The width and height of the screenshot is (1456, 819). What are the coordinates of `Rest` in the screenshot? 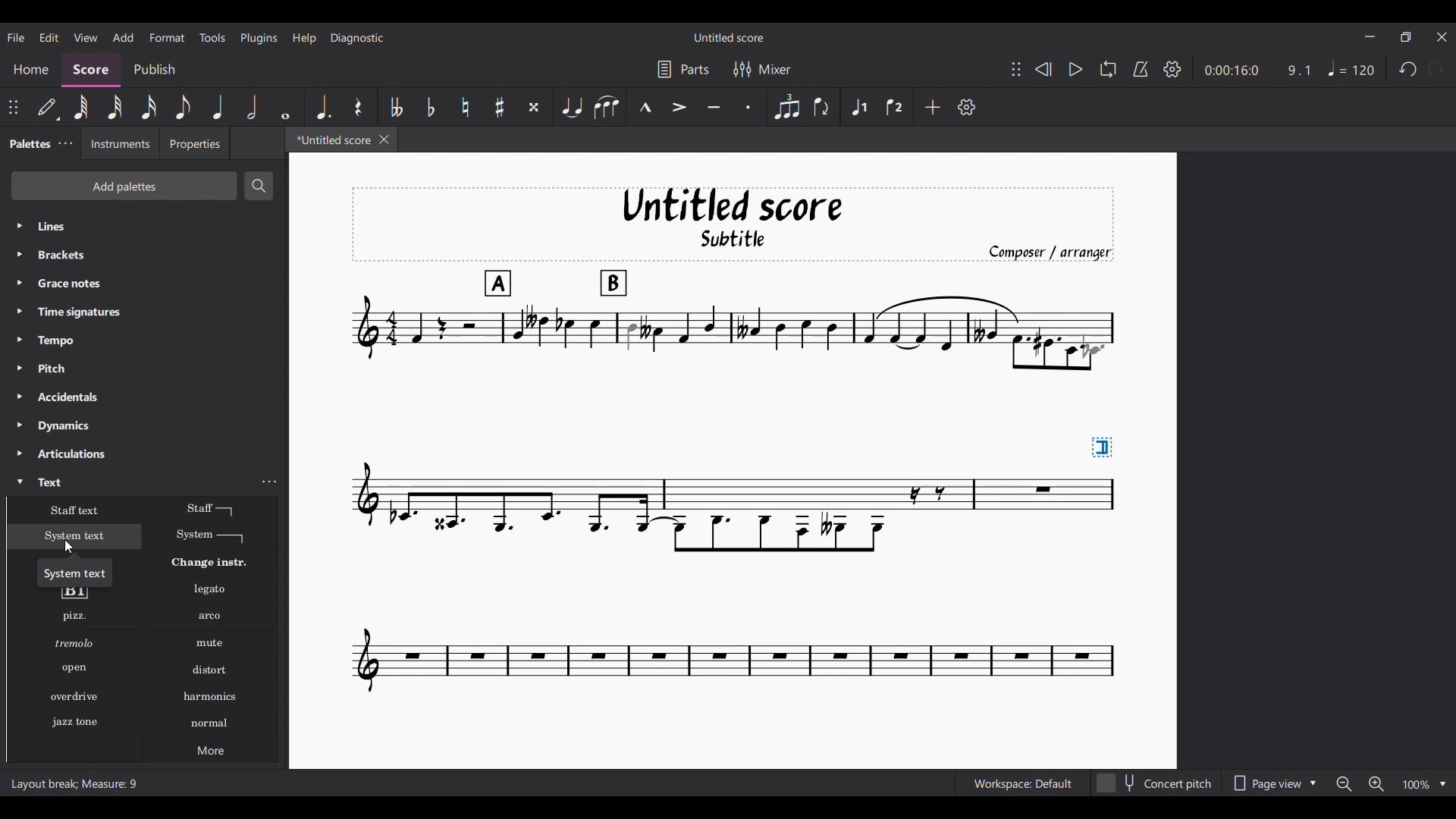 It's located at (359, 107).